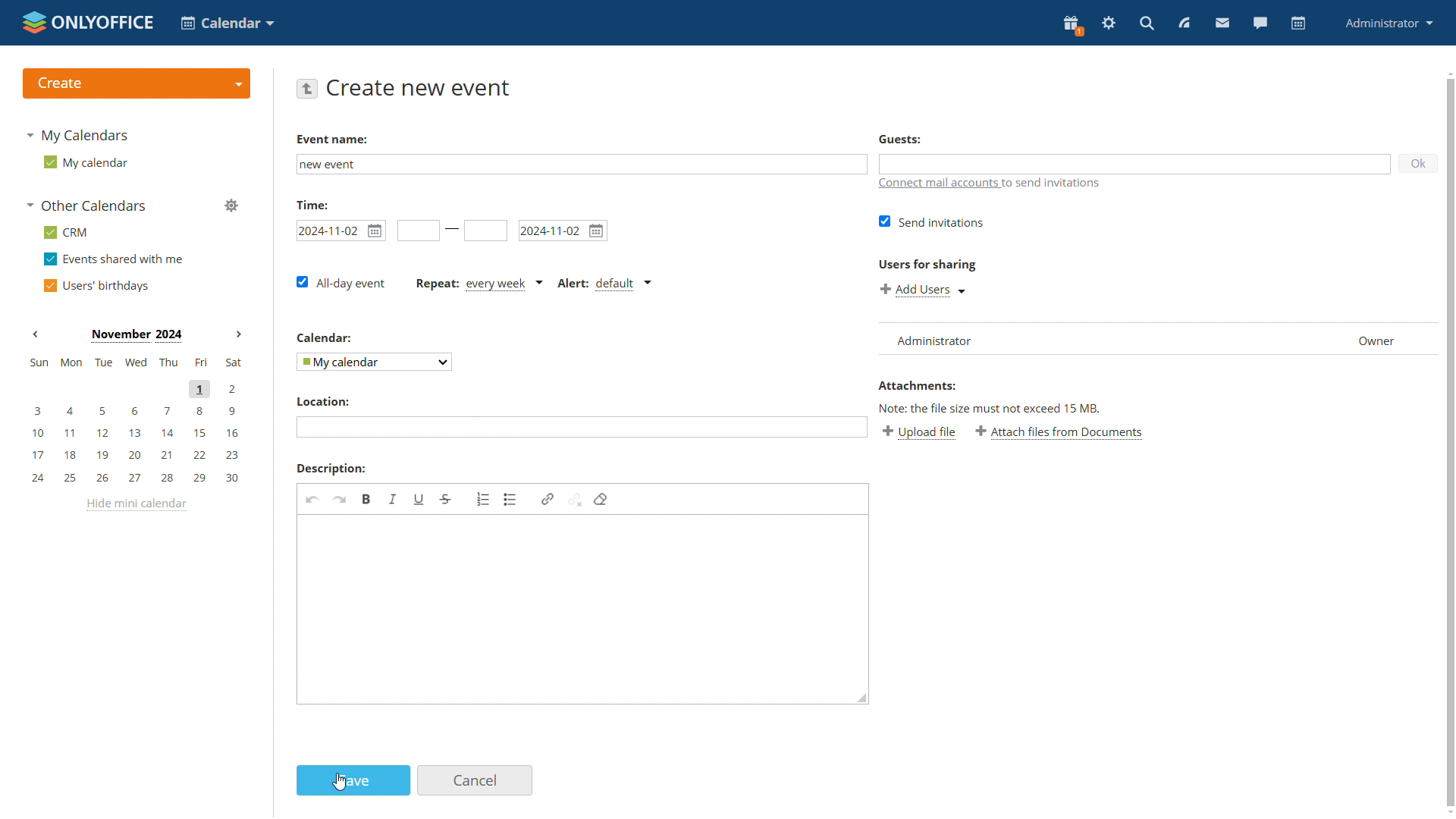  What do you see at coordinates (917, 385) in the screenshot?
I see `Attachments` at bounding box center [917, 385].